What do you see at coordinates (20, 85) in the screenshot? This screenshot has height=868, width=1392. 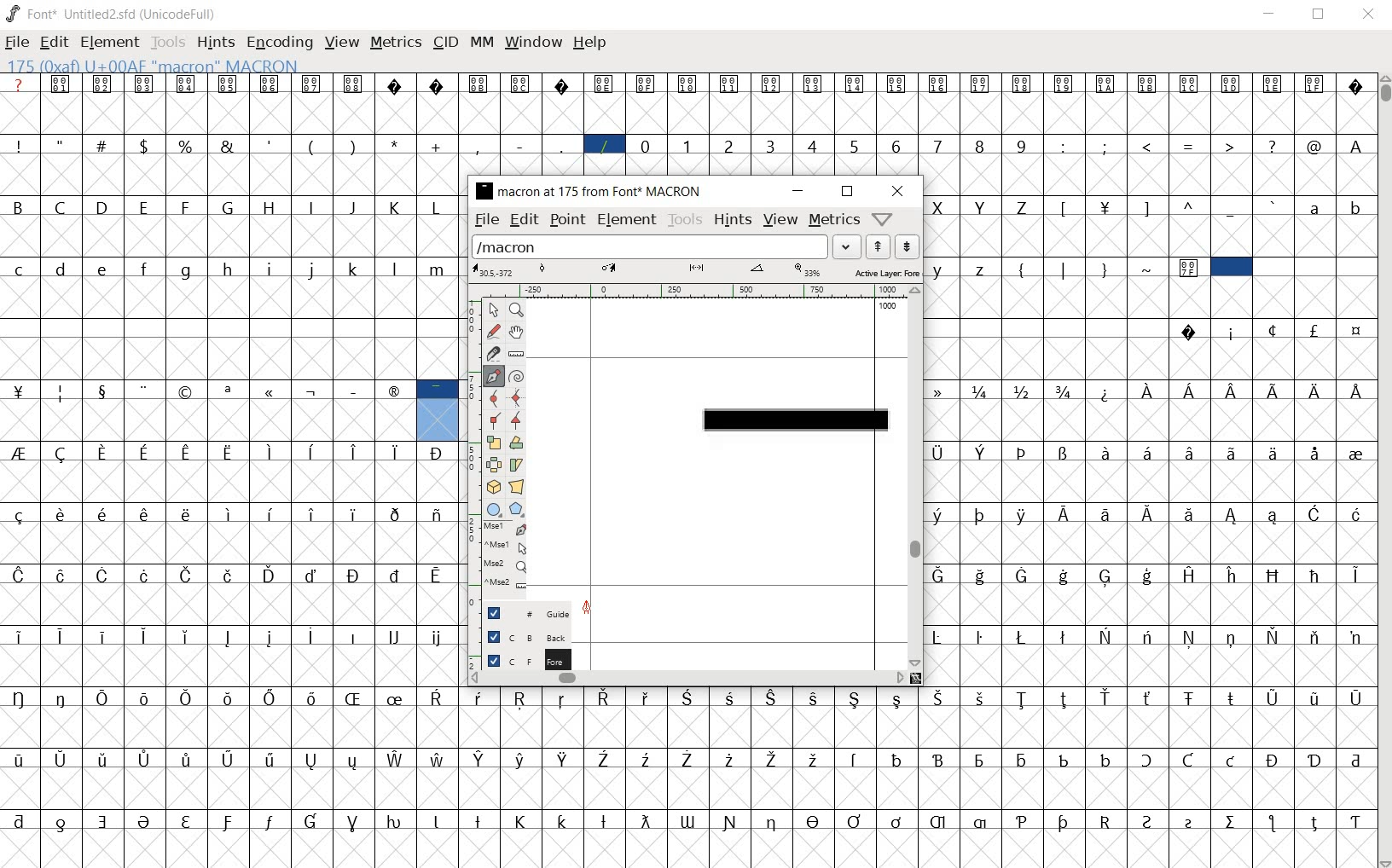 I see `?` at bounding box center [20, 85].